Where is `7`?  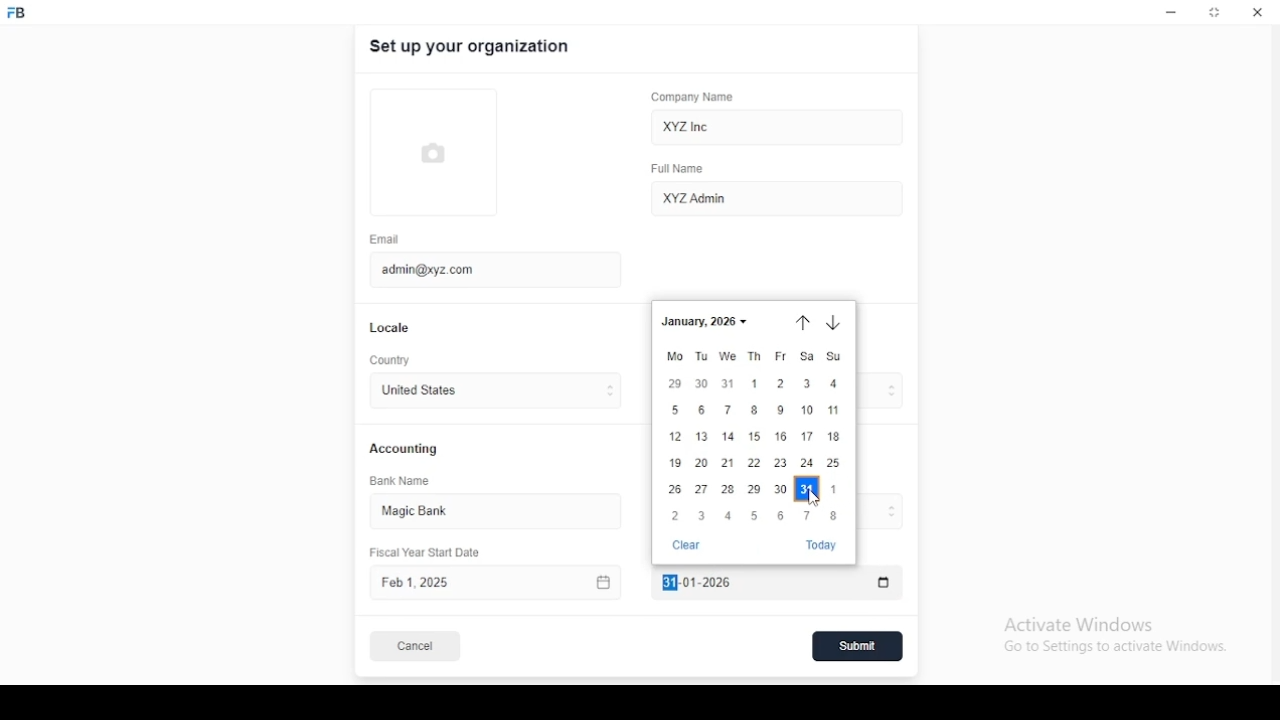 7 is located at coordinates (727, 410).